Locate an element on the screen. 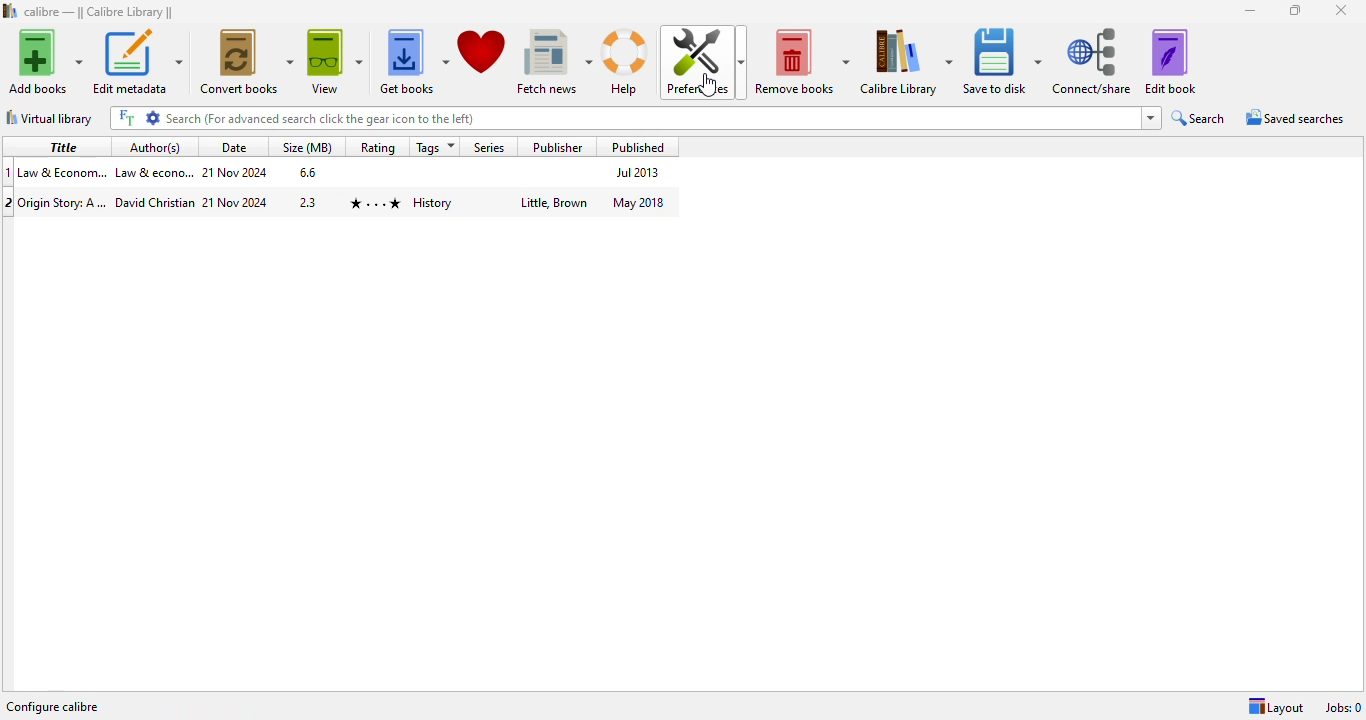 The height and width of the screenshot is (720, 1366). remove books is located at coordinates (803, 63).